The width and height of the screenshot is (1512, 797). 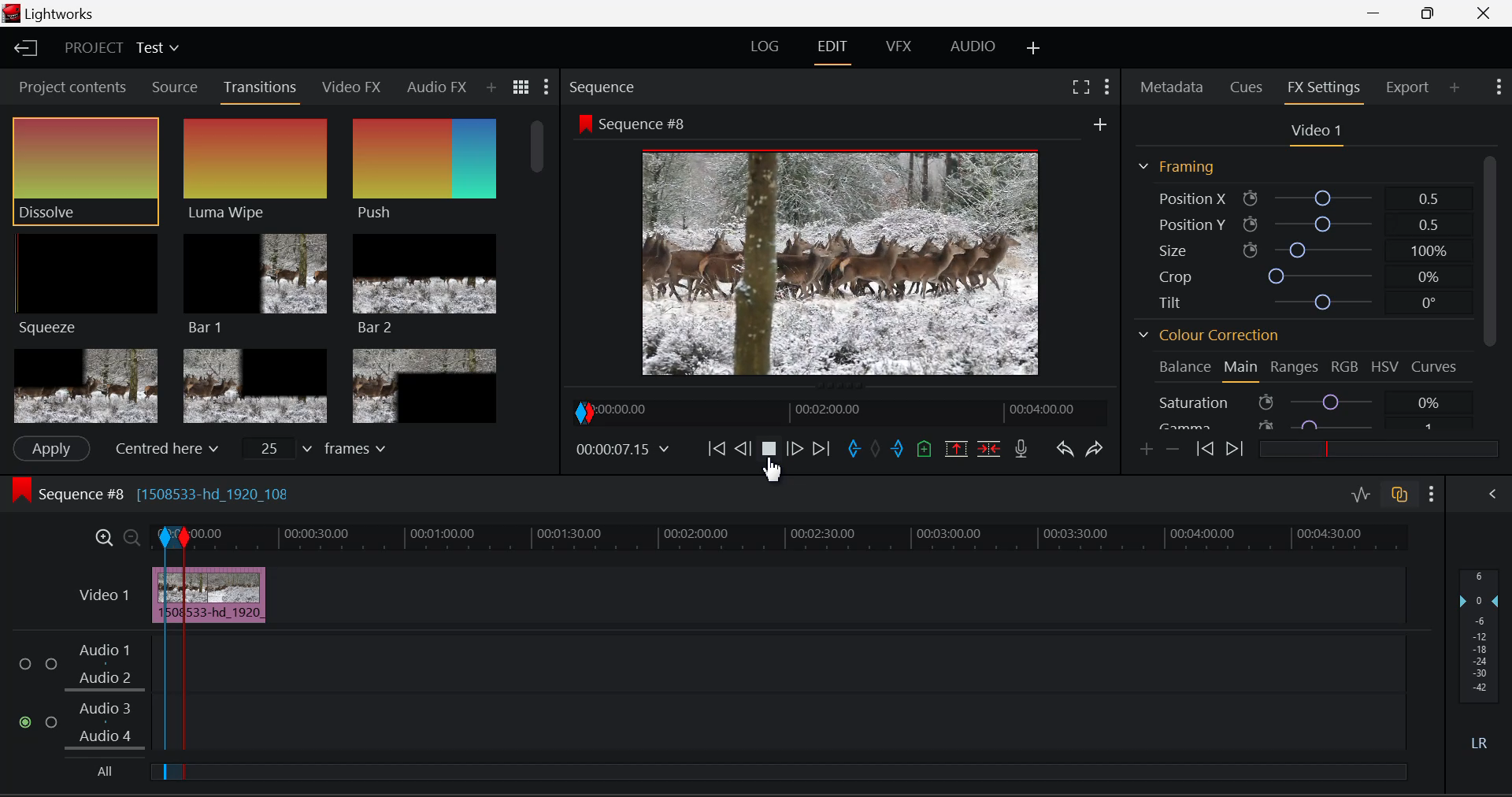 I want to click on Cursor, so click(x=777, y=470).